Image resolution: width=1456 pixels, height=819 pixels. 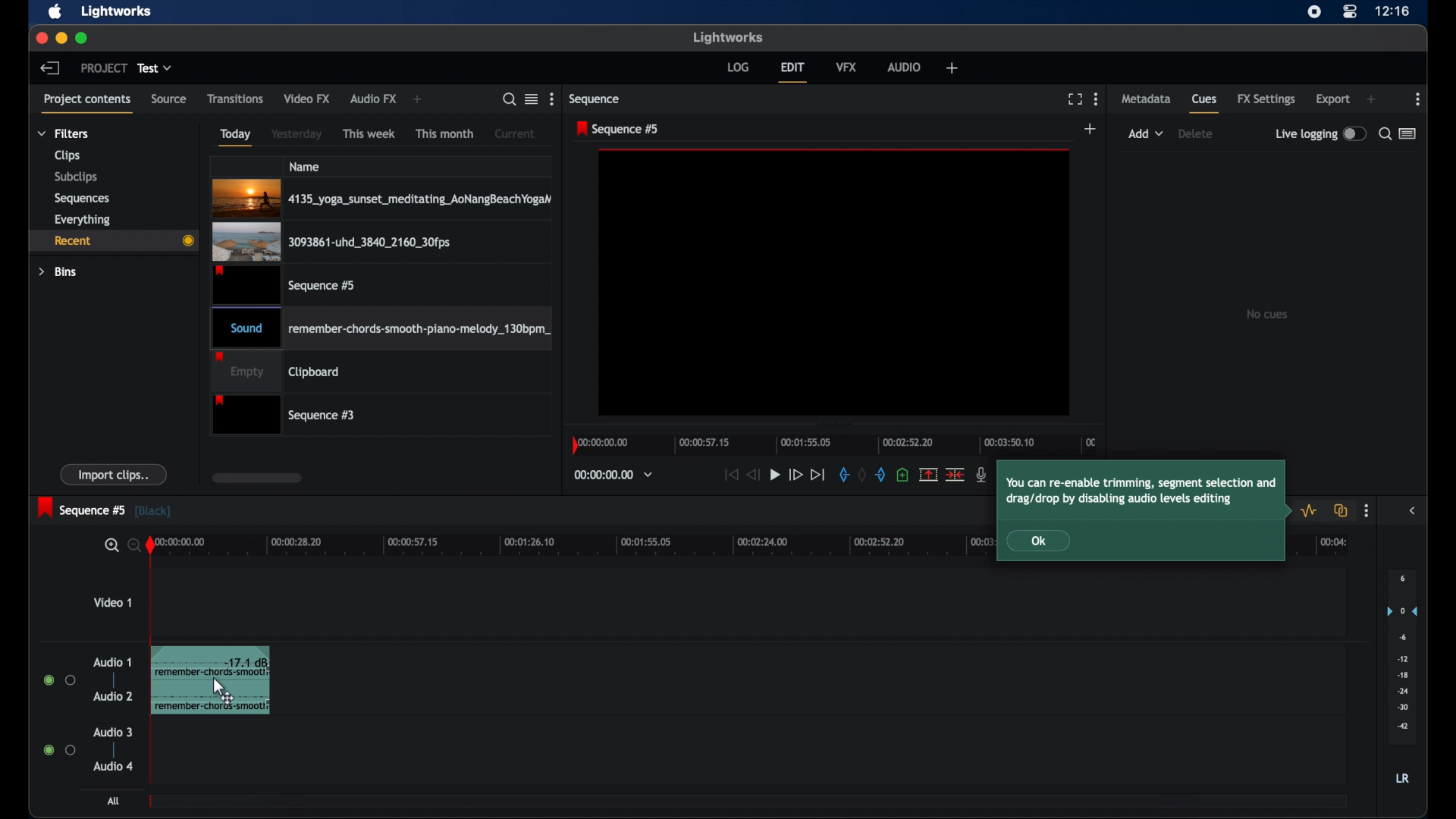 I want to click on yesterday, so click(x=297, y=134).